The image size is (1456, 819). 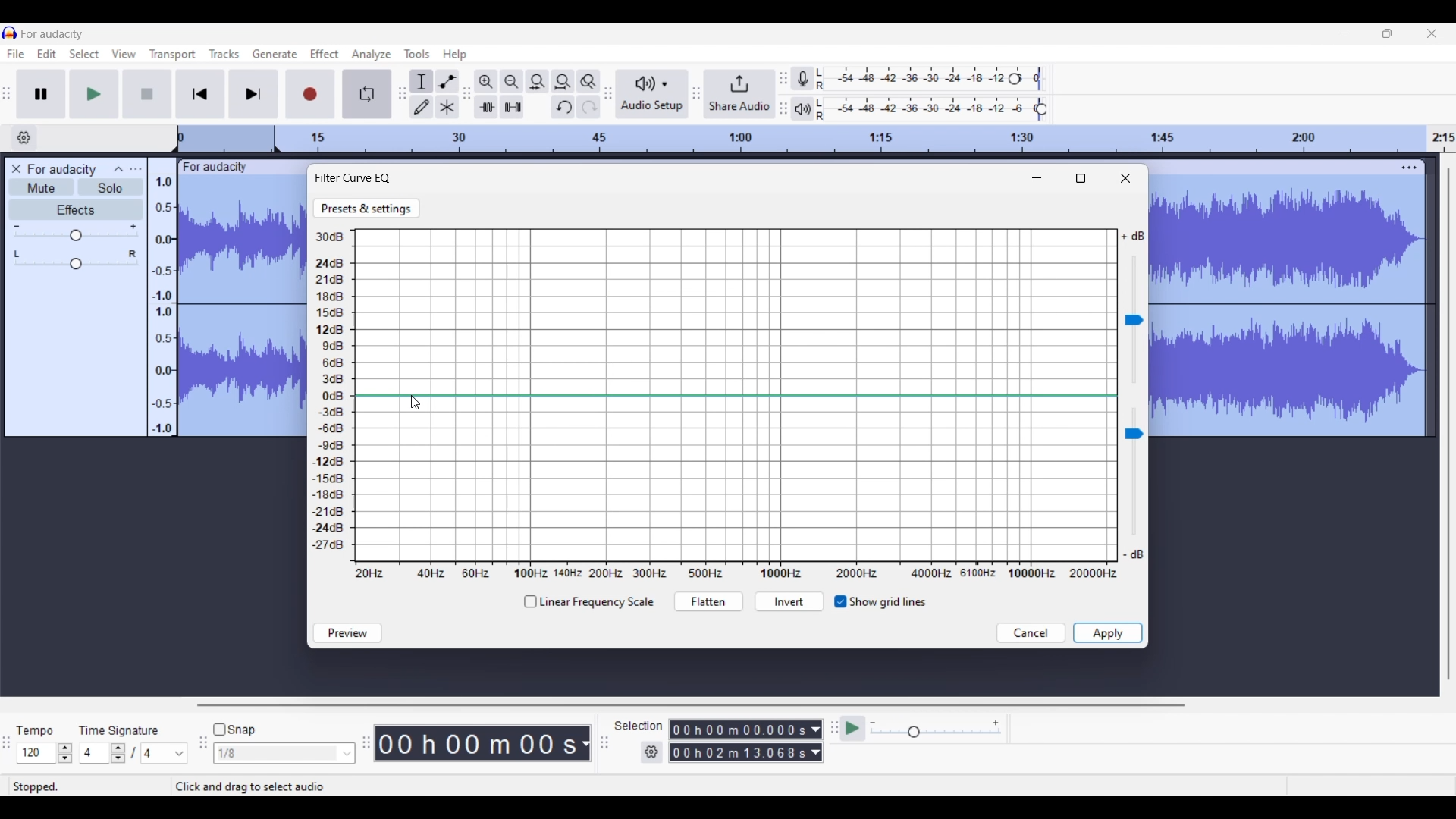 What do you see at coordinates (740, 94) in the screenshot?
I see `Share audio` at bounding box center [740, 94].